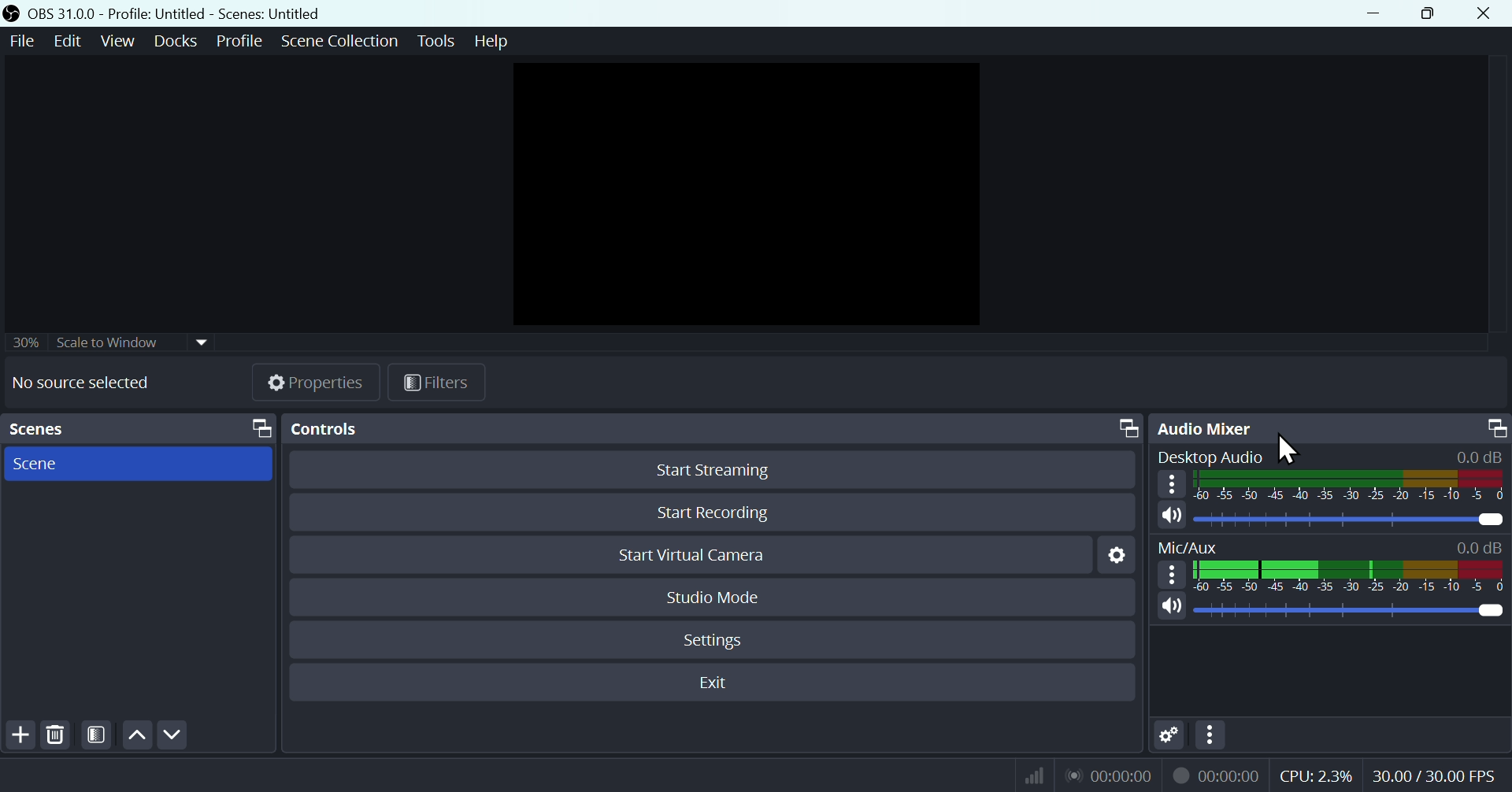 This screenshot has width=1512, height=792. Describe the element at coordinates (1170, 732) in the screenshot. I see `Settings` at that location.